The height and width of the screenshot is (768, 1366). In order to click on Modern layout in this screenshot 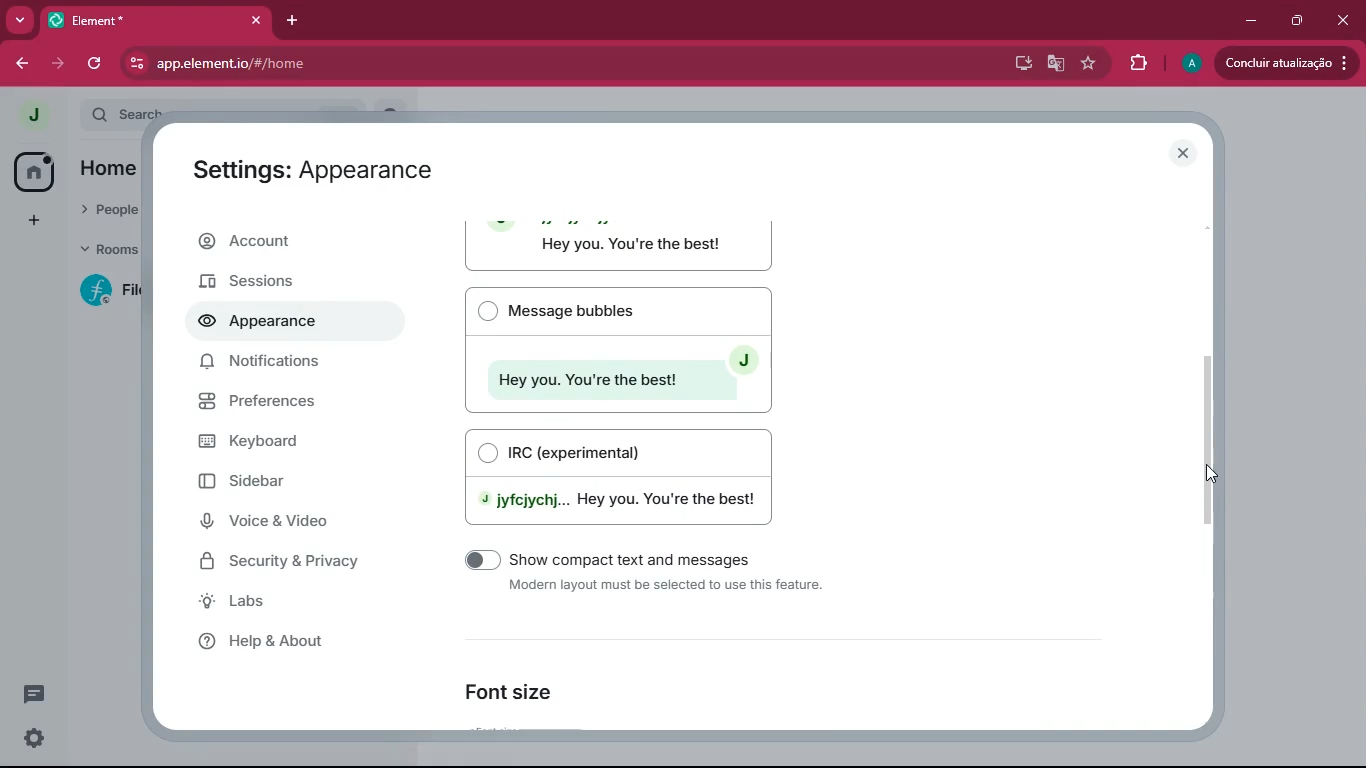, I will do `click(621, 246)`.